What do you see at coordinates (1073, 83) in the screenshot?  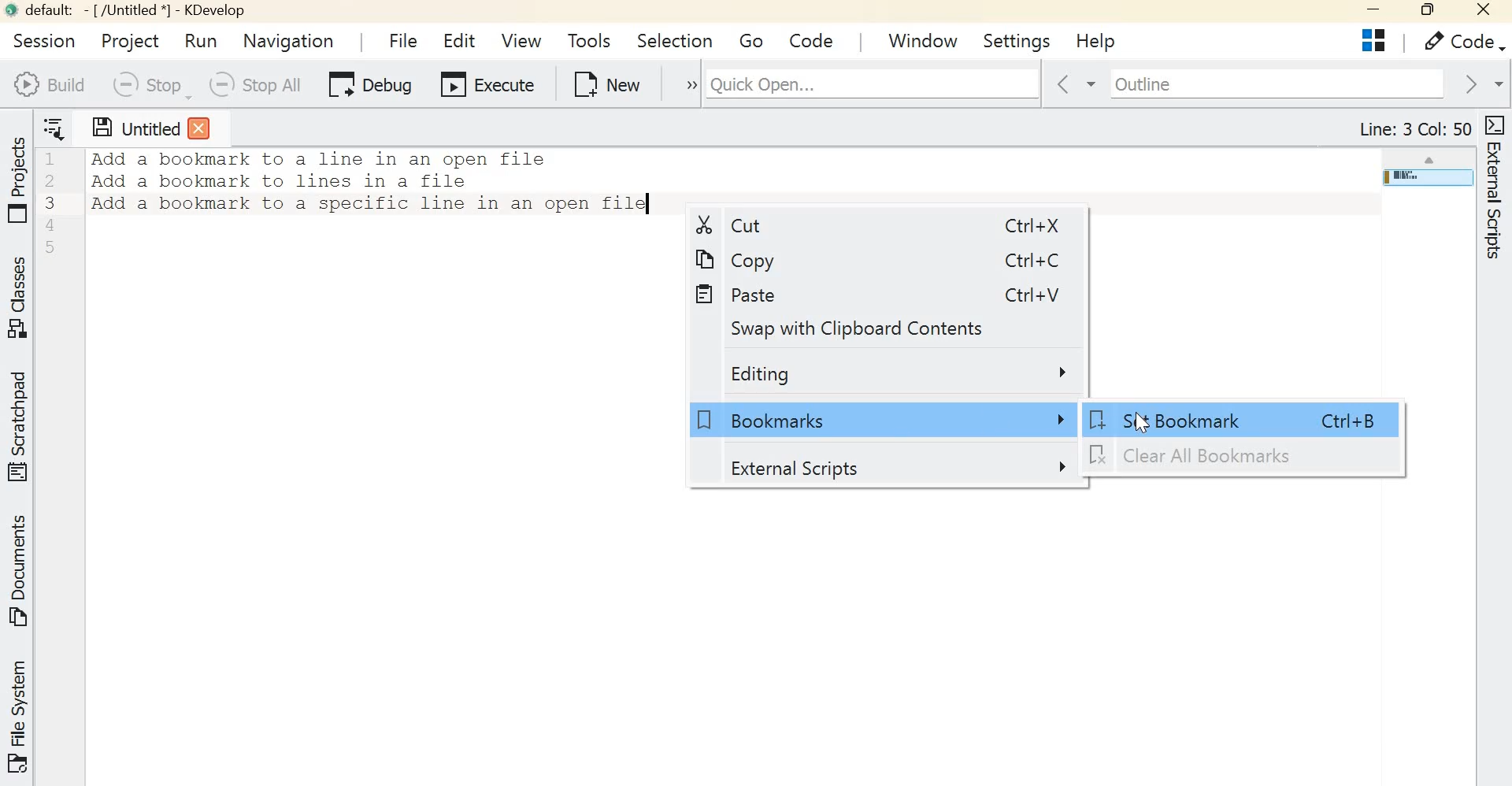 I see `go forward in context history` at bounding box center [1073, 83].